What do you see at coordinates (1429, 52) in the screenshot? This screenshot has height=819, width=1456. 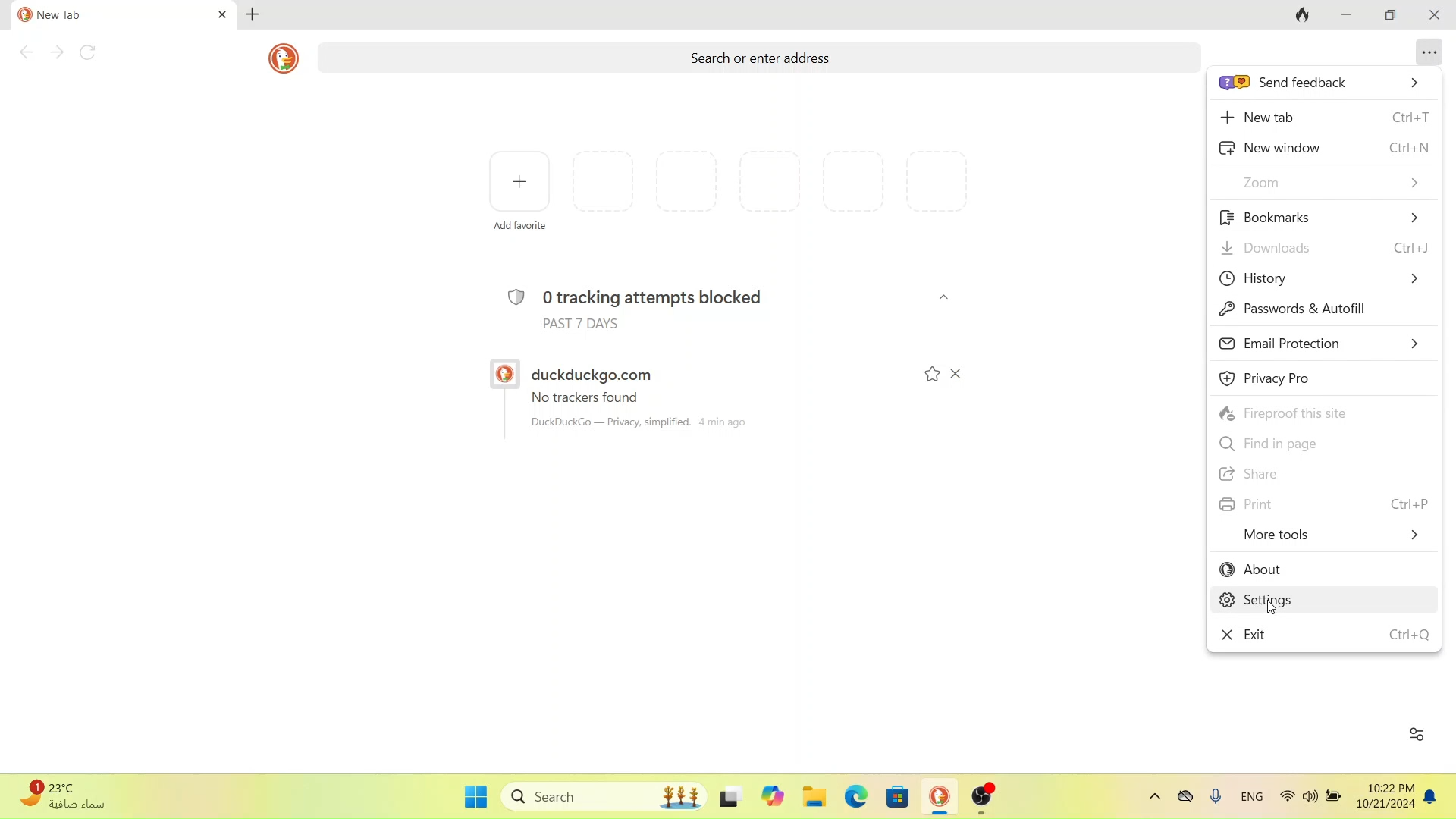 I see `options` at bounding box center [1429, 52].